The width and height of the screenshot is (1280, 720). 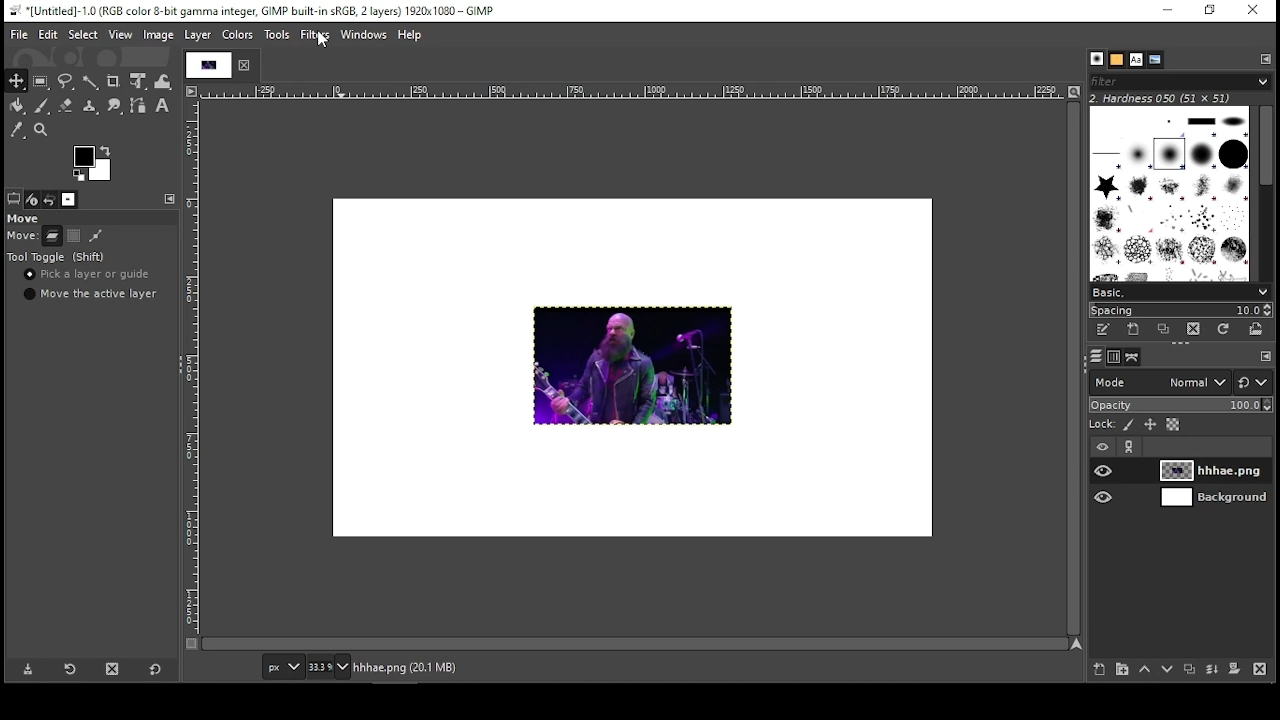 I want to click on move layer on step down, so click(x=1167, y=670).